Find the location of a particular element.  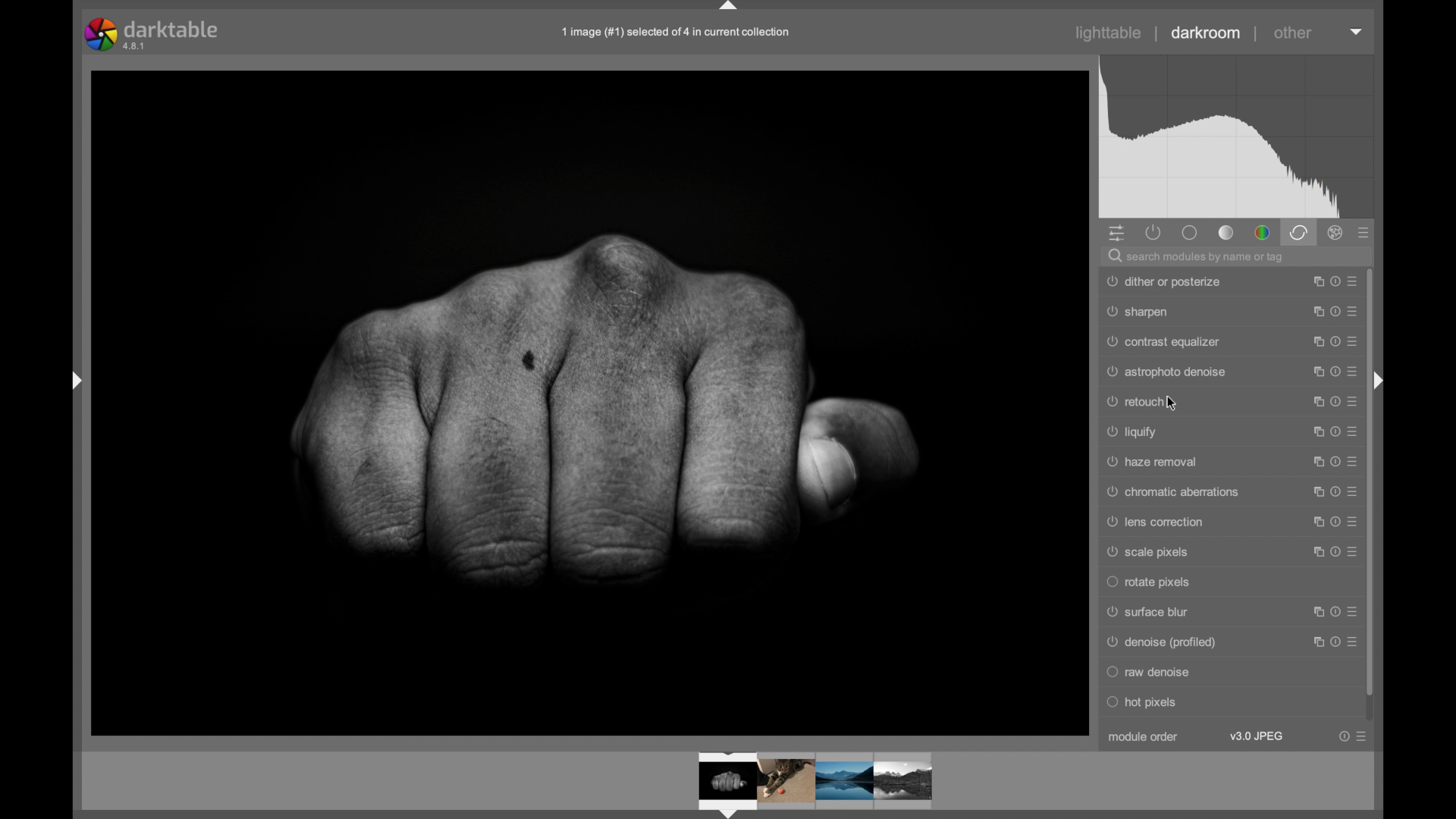

cursor is located at coordinates (1172, 407).